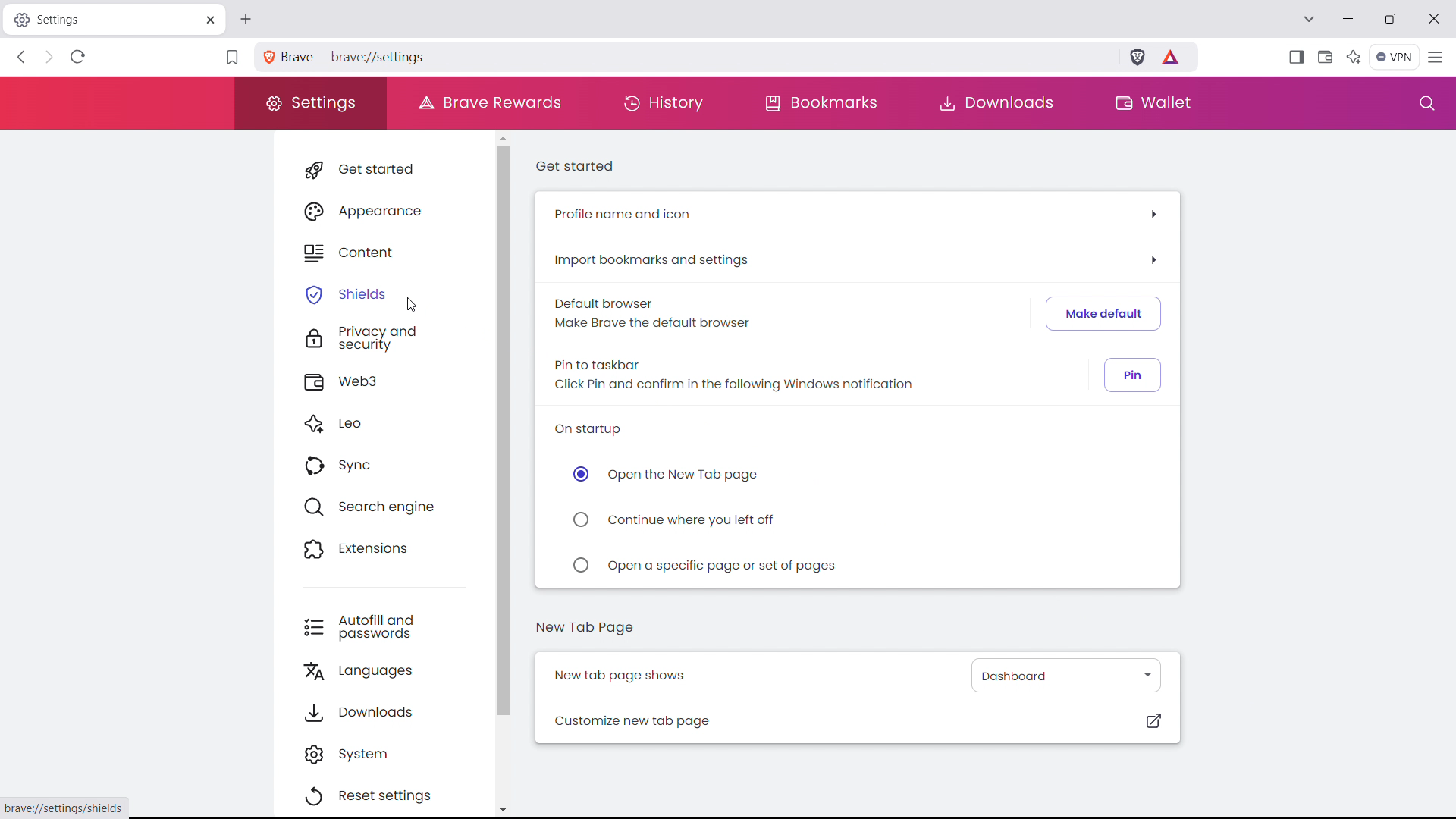 The height and width of the screenshot is (819, 1456). Describe the element at coordinates (503, 431) in the screenshot. I see `scrollbar` at that location.